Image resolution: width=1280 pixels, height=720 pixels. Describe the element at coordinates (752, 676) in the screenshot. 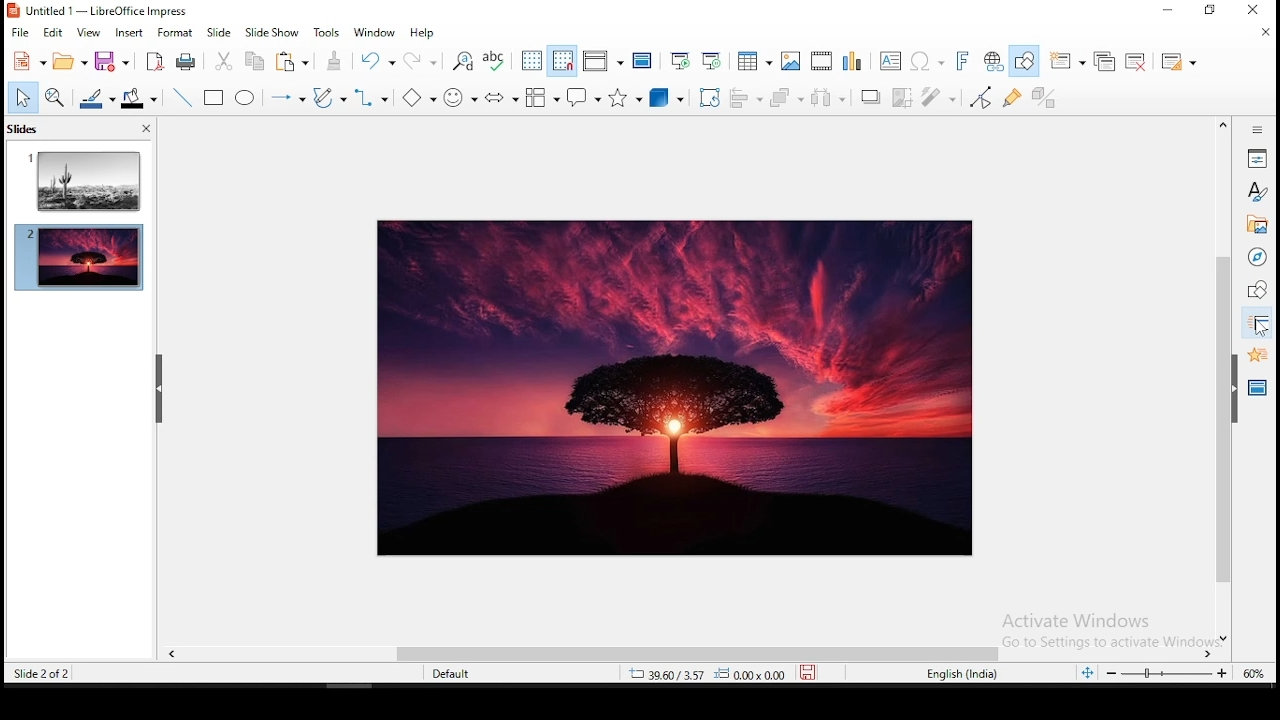

I see `0.00x0.00` at that location.